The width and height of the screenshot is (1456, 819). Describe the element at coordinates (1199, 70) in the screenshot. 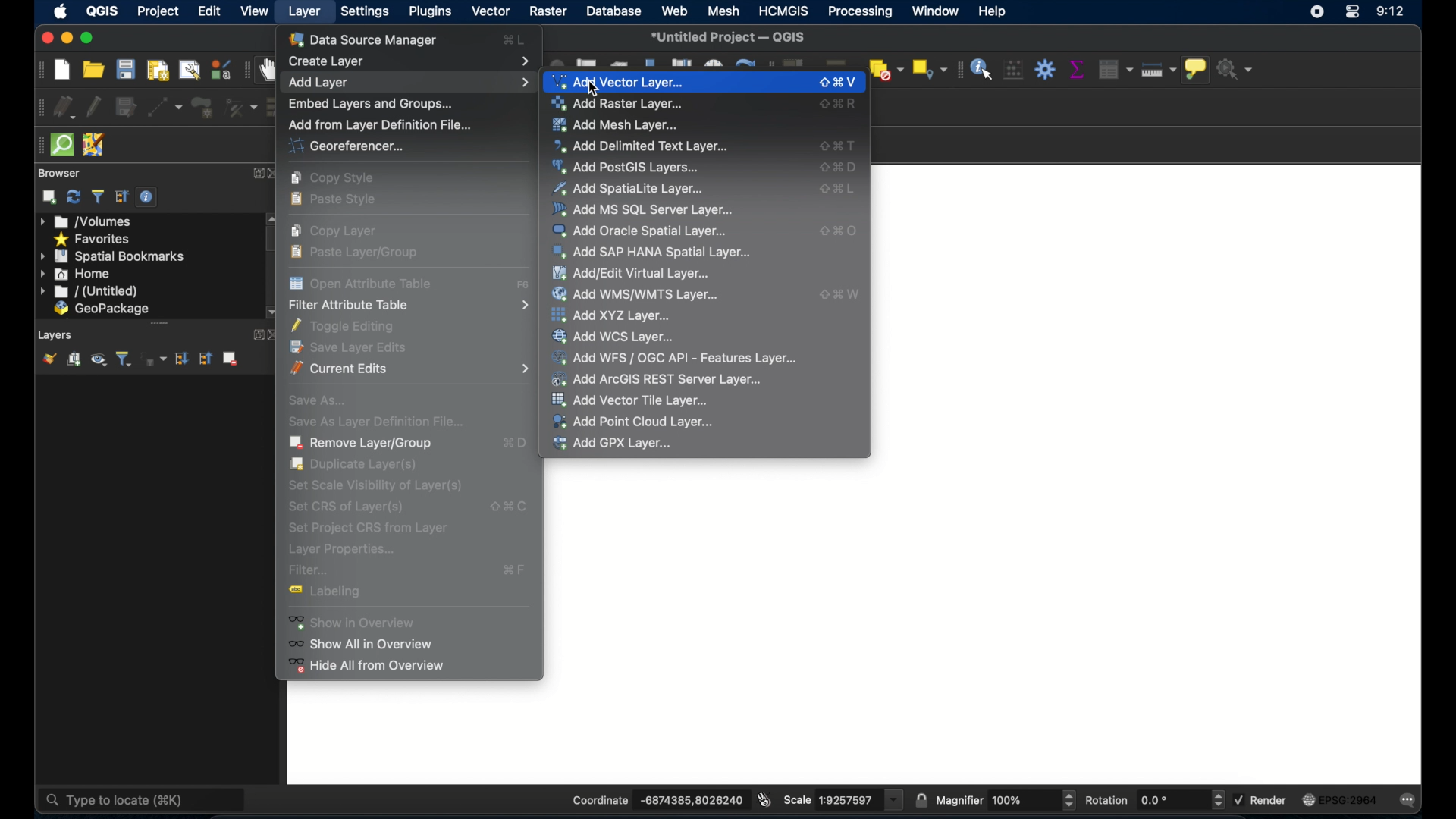

I see `show map tops` at that location.